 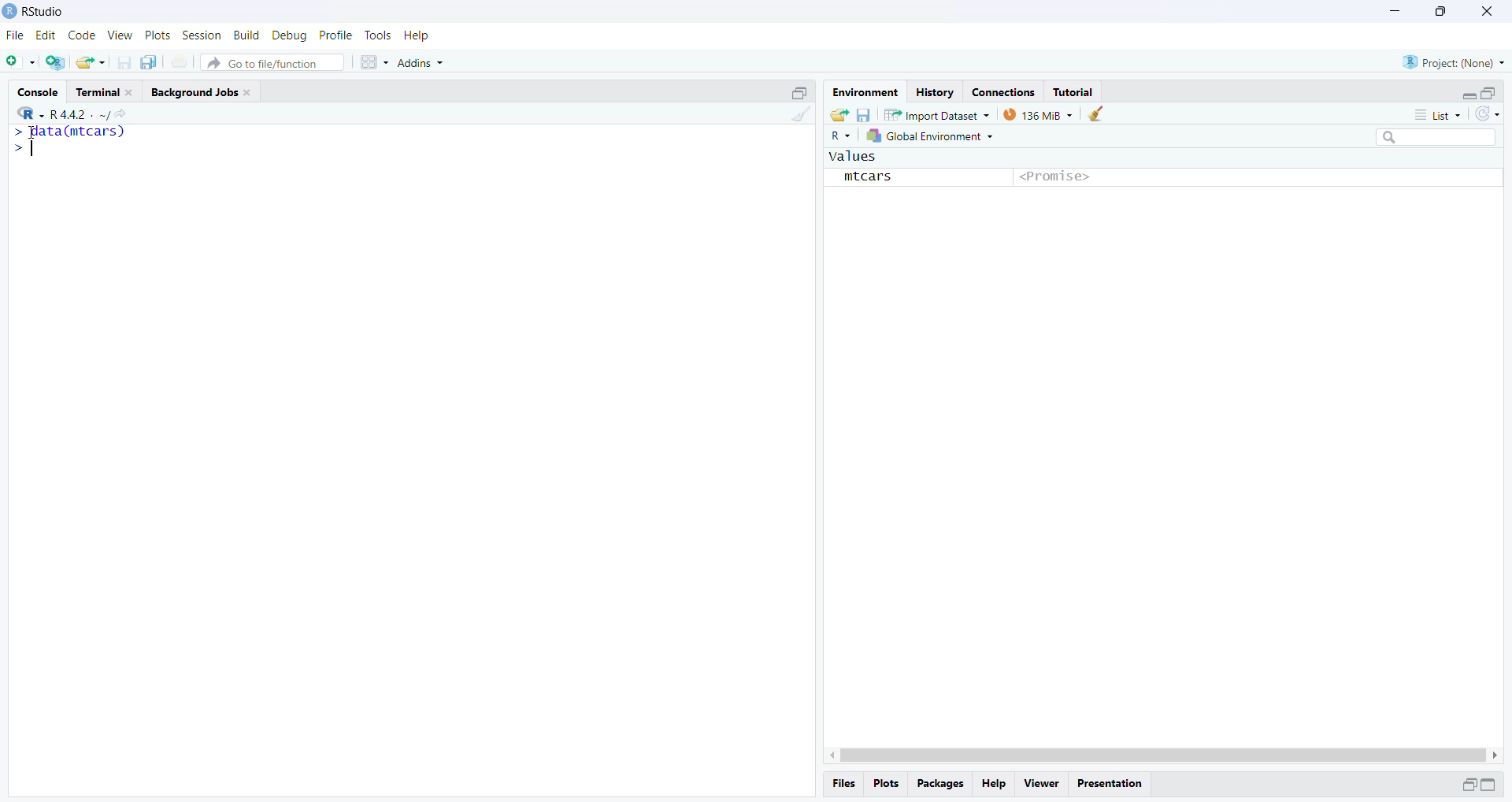 I want to click on Close, so click(x=1488, y=13).